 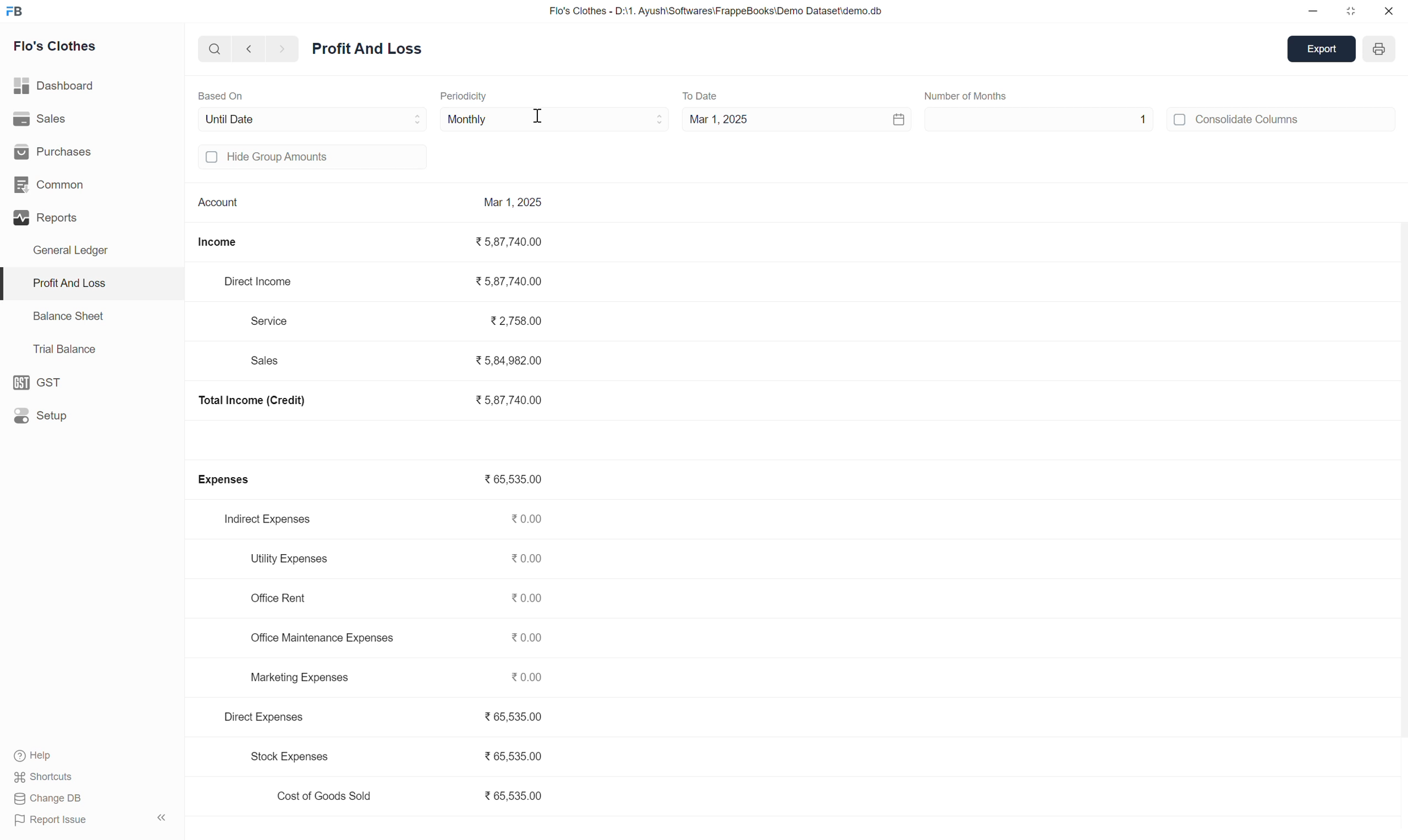 What do you see at coordinates (530, 599) in the screenshot?
I see `₹0.00` at bounding box center [530, 599].